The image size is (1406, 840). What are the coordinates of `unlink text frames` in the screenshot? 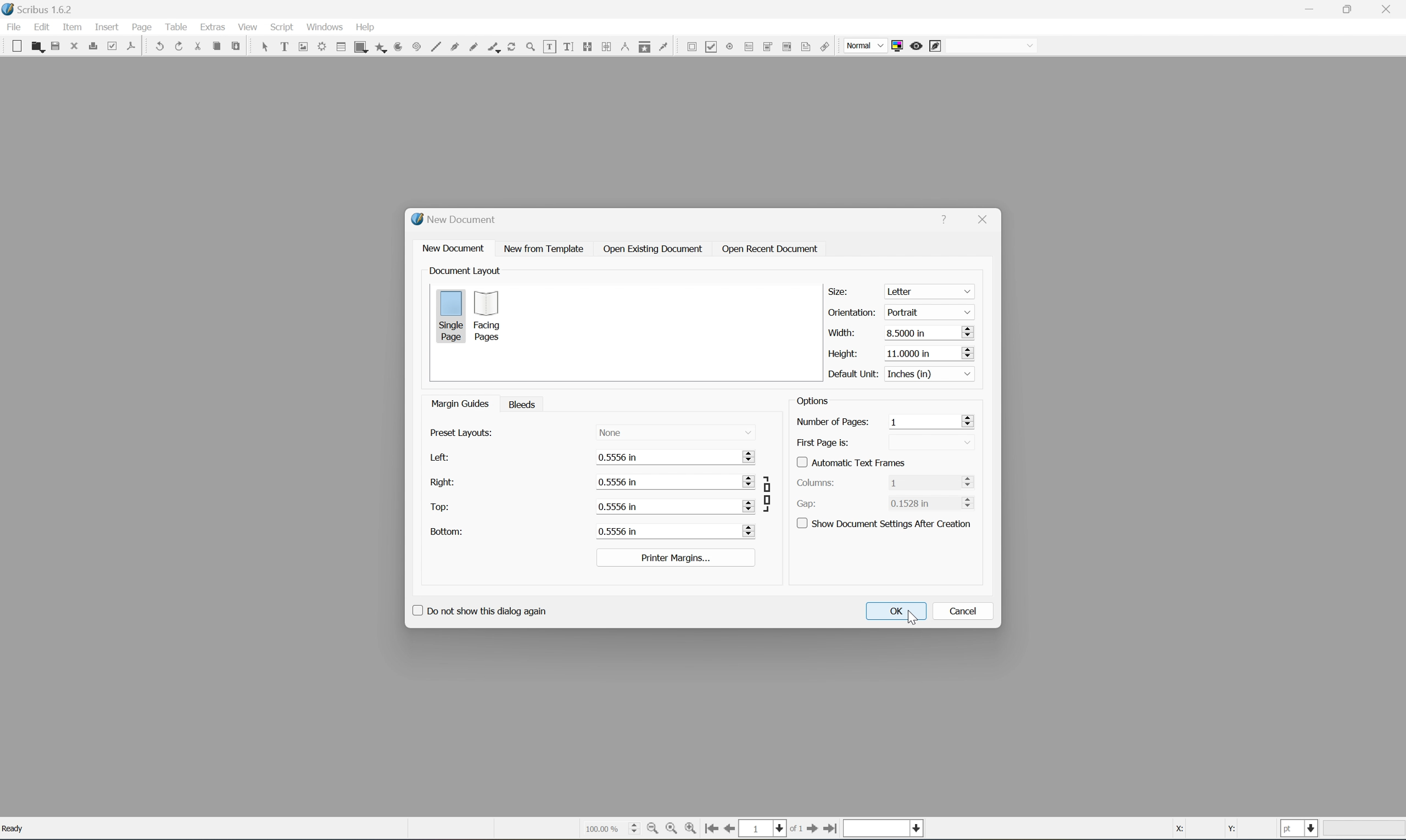 It's located at (607, 46).